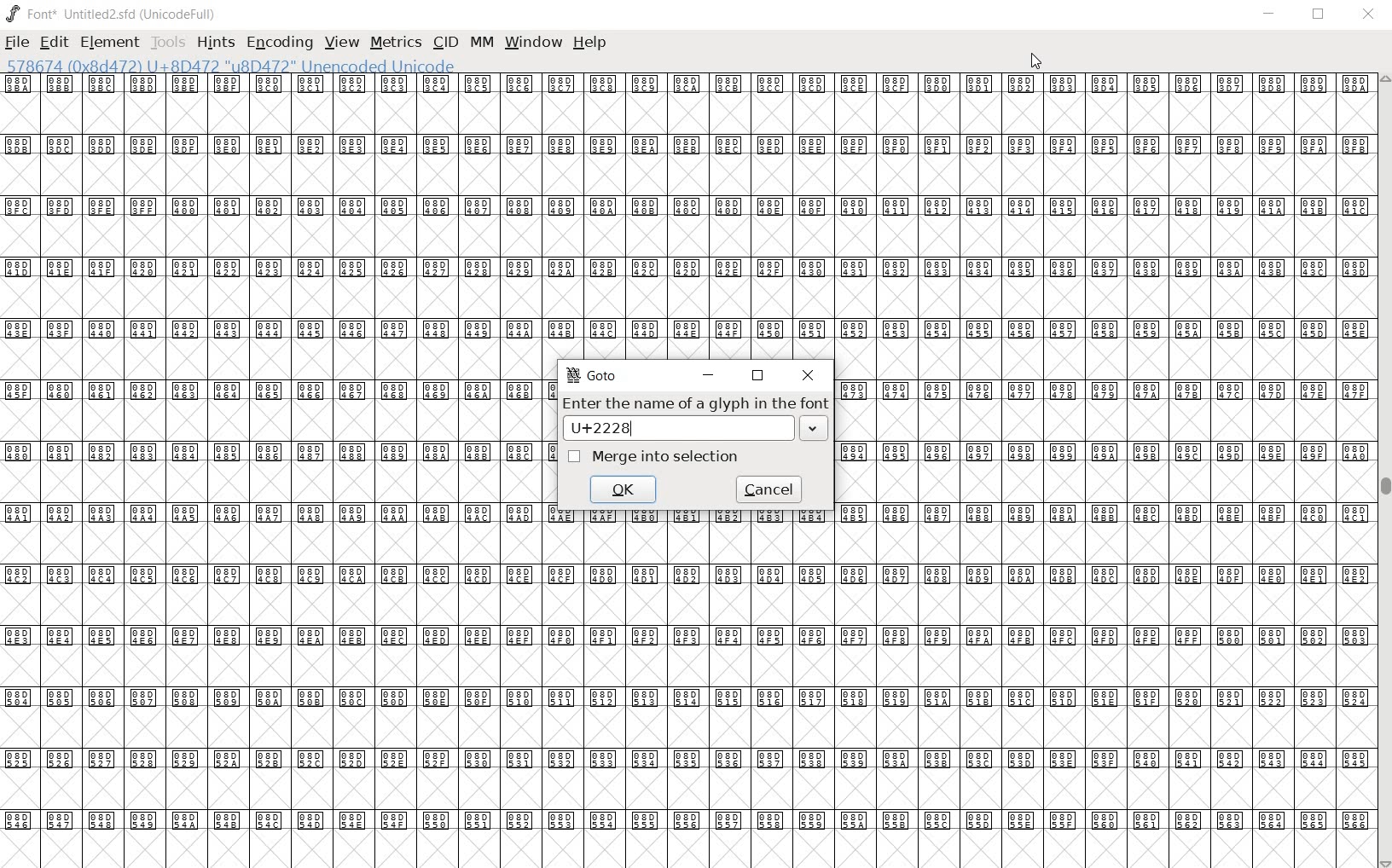  What do you see at coordinates (479, 42) in the screenshot?
I see `mm` at bounding box center [479, 42].